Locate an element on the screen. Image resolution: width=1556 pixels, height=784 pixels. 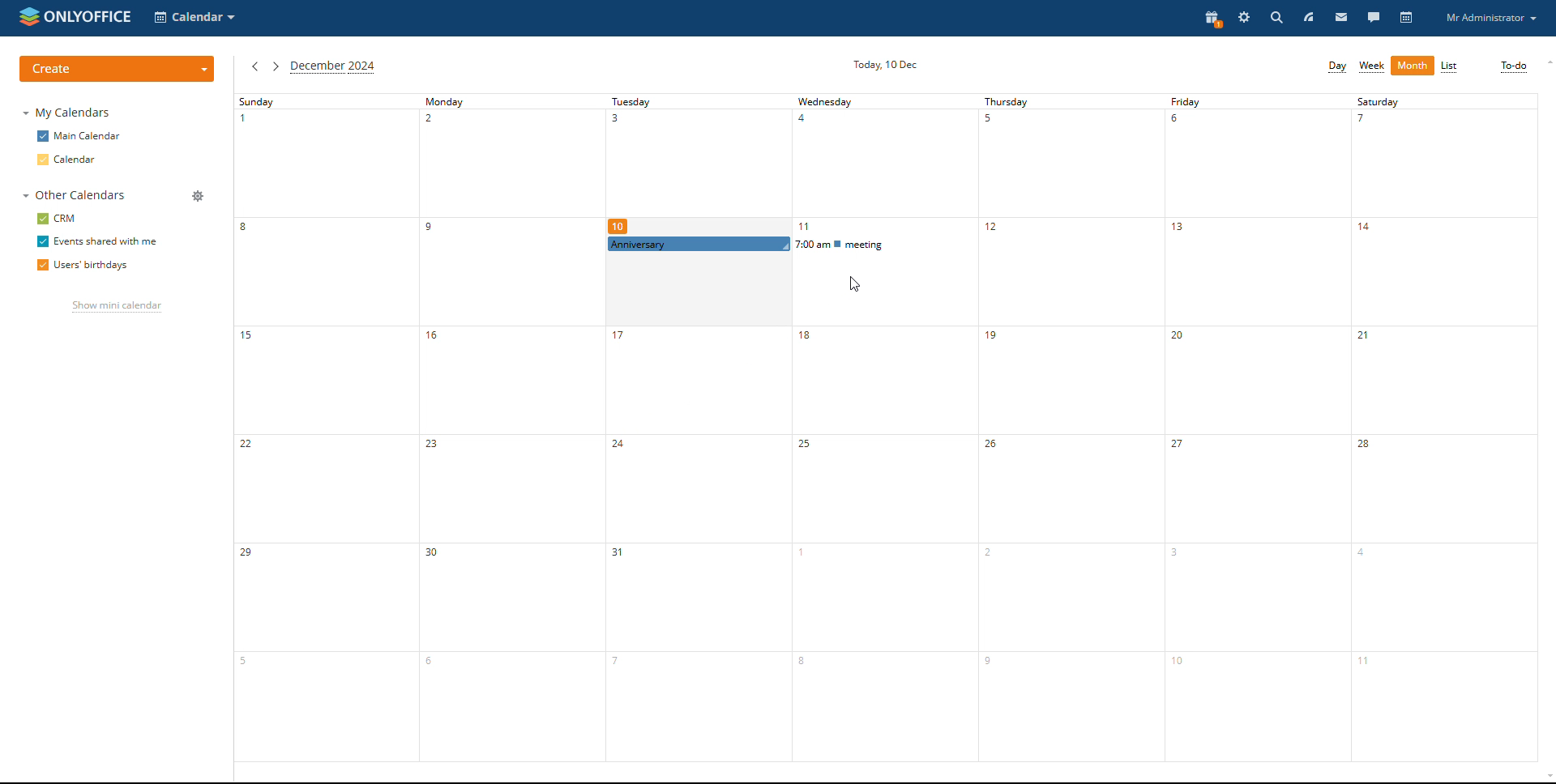
week view is located at coordinates (1372, 67).